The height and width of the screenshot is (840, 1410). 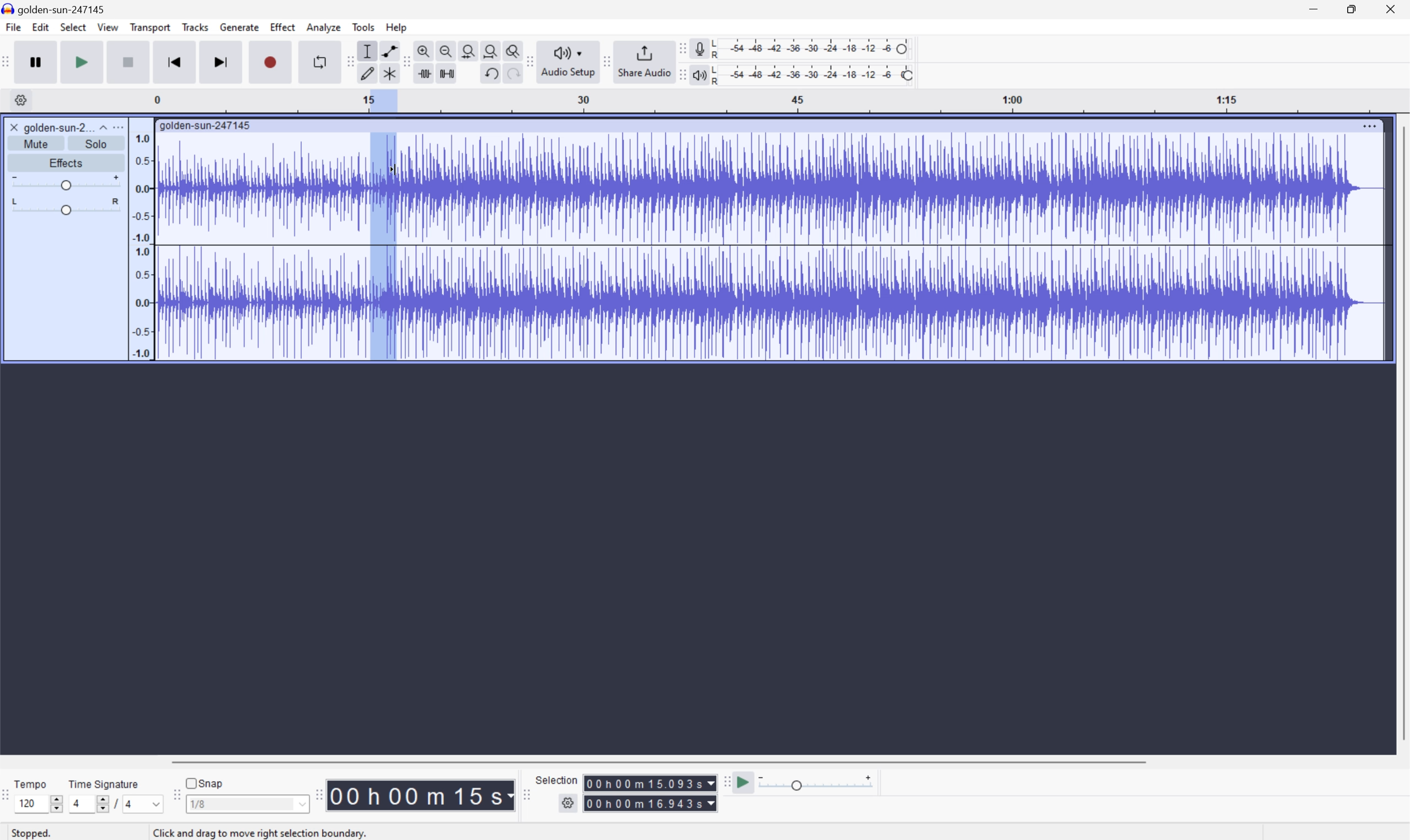 I want to click on Undo, so click(x=489, y=72).